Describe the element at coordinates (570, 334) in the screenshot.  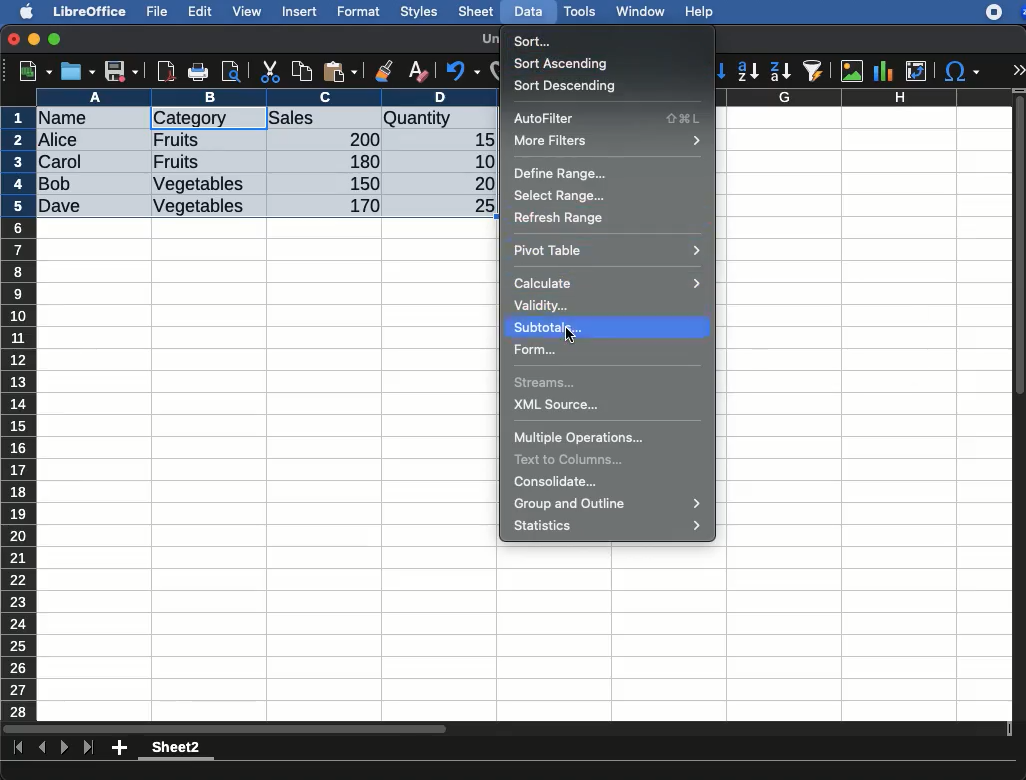
I see `cursor` at that location.